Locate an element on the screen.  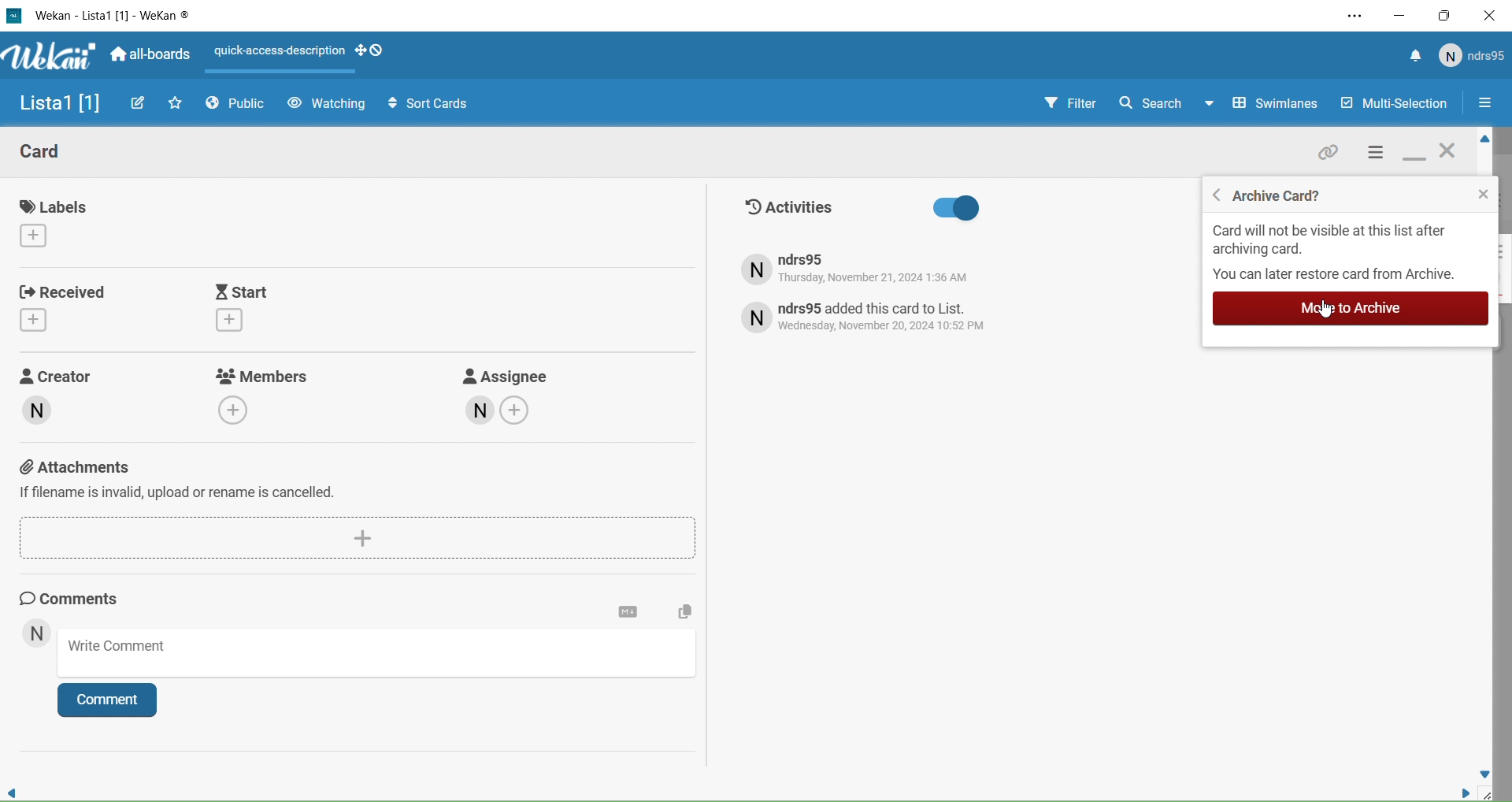
Wekan is located at coordinates (51, 60).